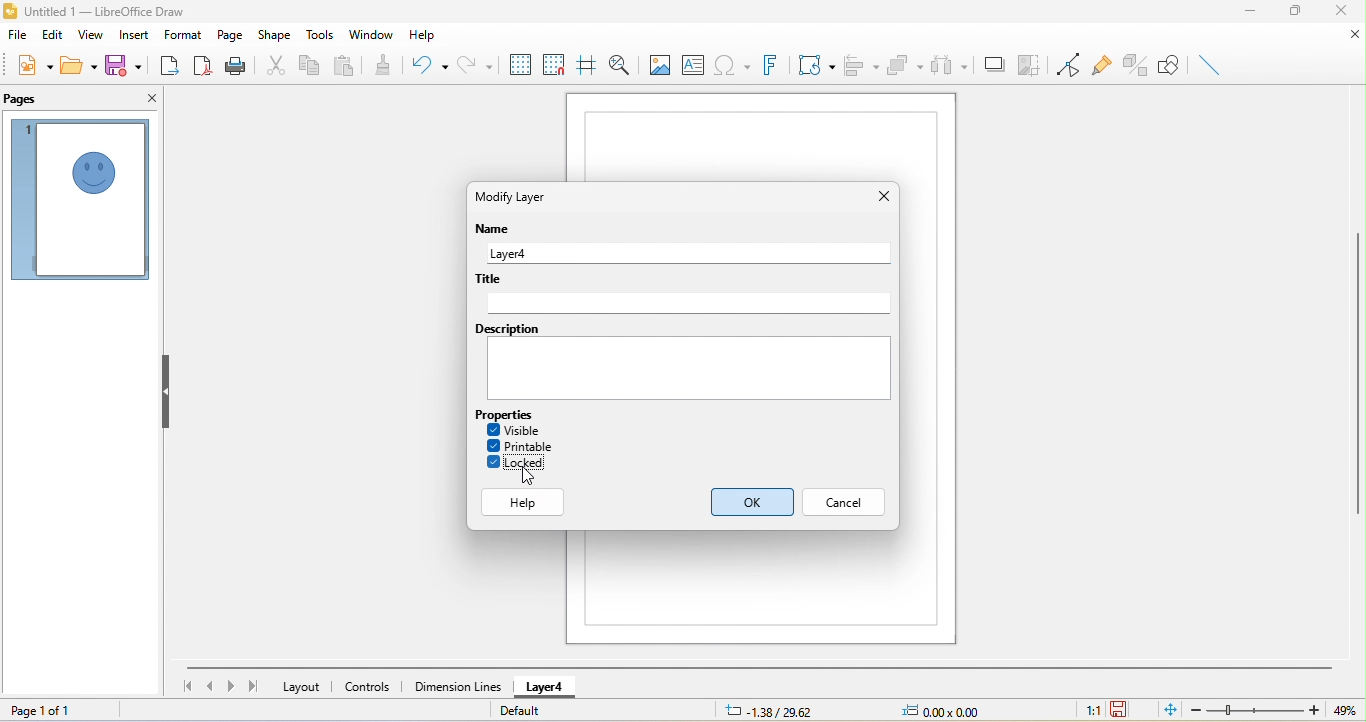 Image resolution: width=1366 pixels, height=722 pixels. I want to click on zoom and pan, so click(622, 64).